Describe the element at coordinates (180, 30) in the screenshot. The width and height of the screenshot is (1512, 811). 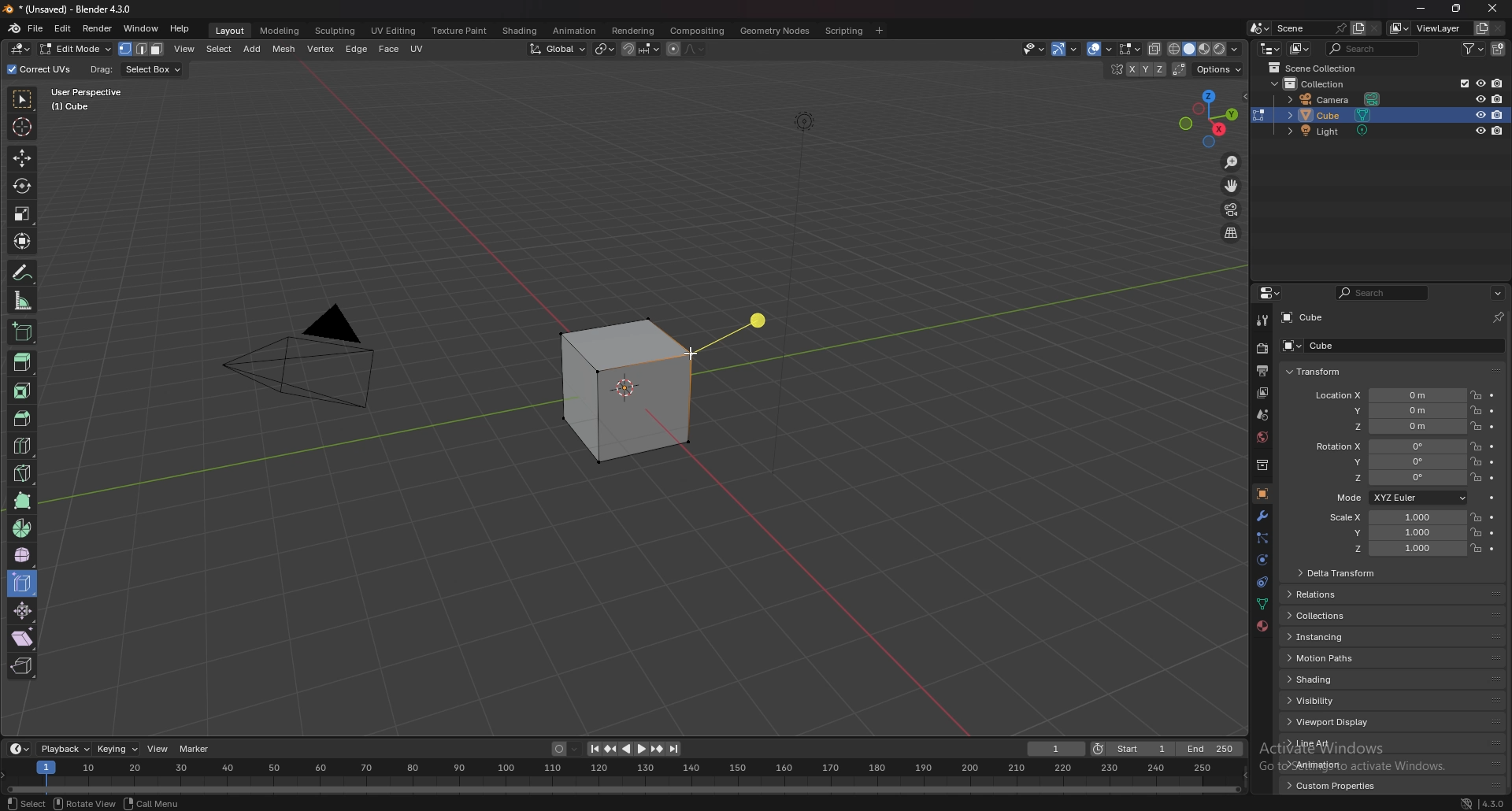
I see `help` at that location.